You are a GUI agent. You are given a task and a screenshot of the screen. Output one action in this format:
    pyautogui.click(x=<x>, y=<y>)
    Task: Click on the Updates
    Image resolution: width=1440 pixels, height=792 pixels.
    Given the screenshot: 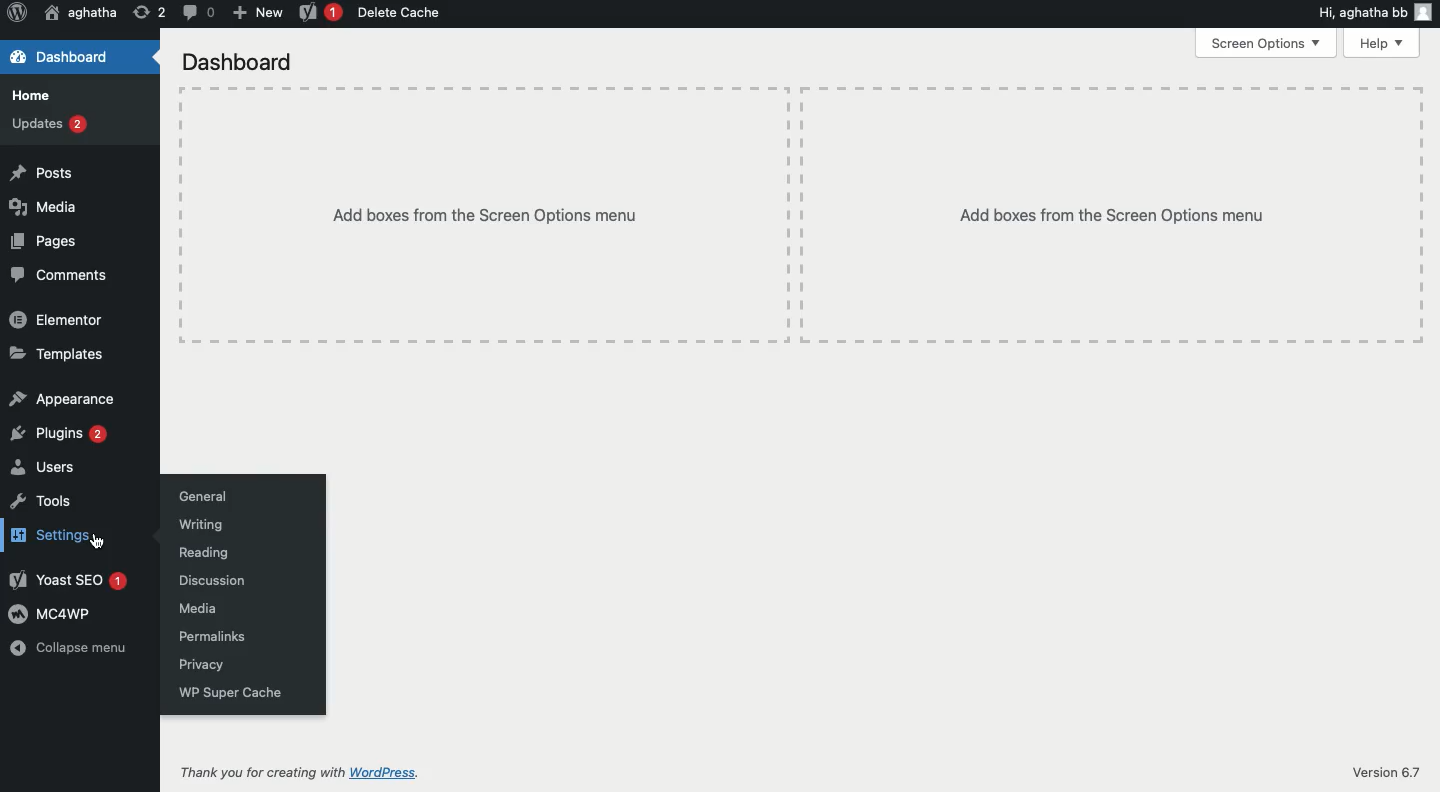 What is the action you would take?
    pyautogui.click(x=53, y=127)
    